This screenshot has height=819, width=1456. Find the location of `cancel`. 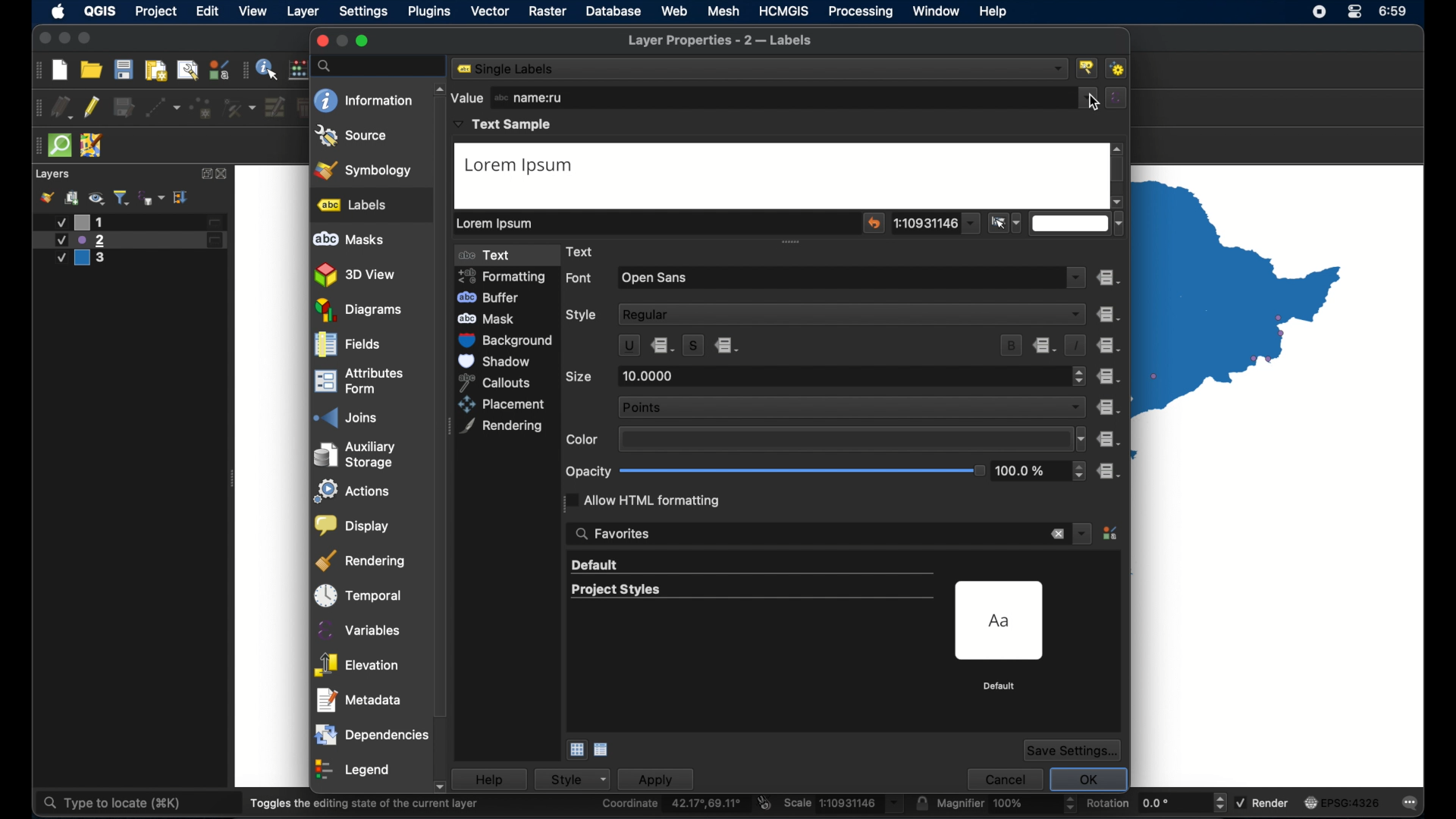

cancel is located at coordinates (1003, 777).